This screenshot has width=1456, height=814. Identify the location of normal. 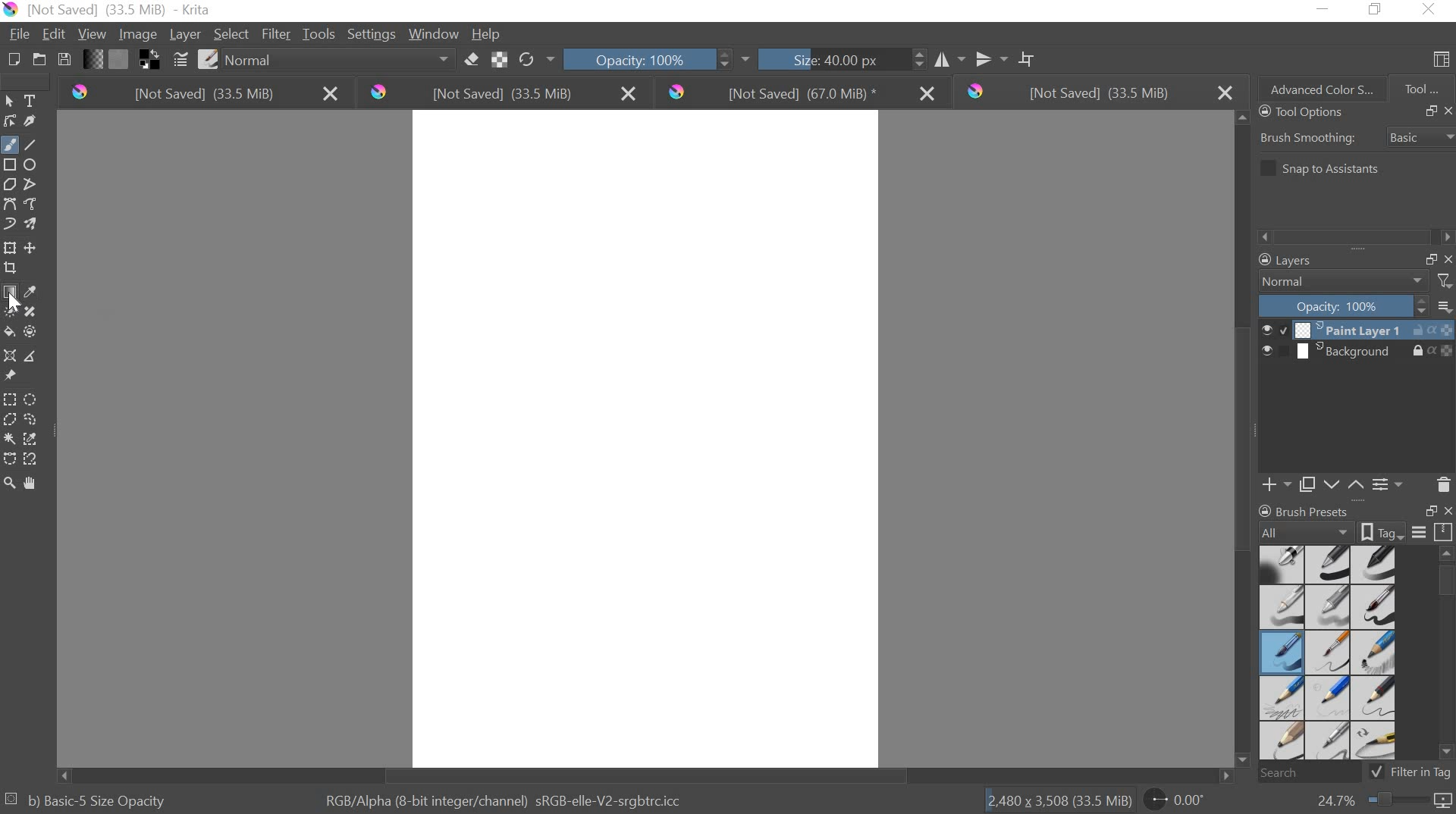
(338, 61).